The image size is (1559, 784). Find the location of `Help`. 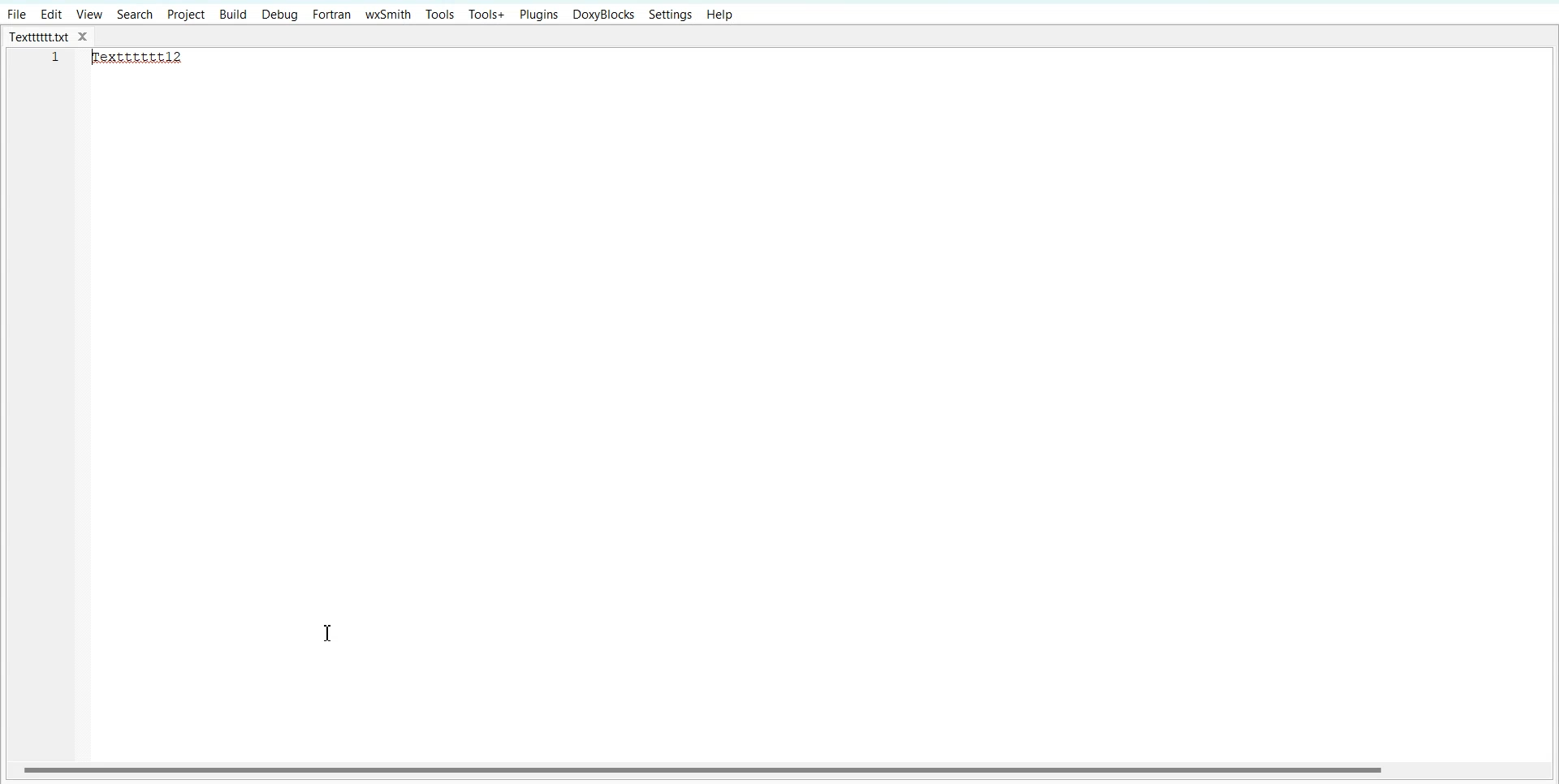

Help is located at coordinates (719, 15).